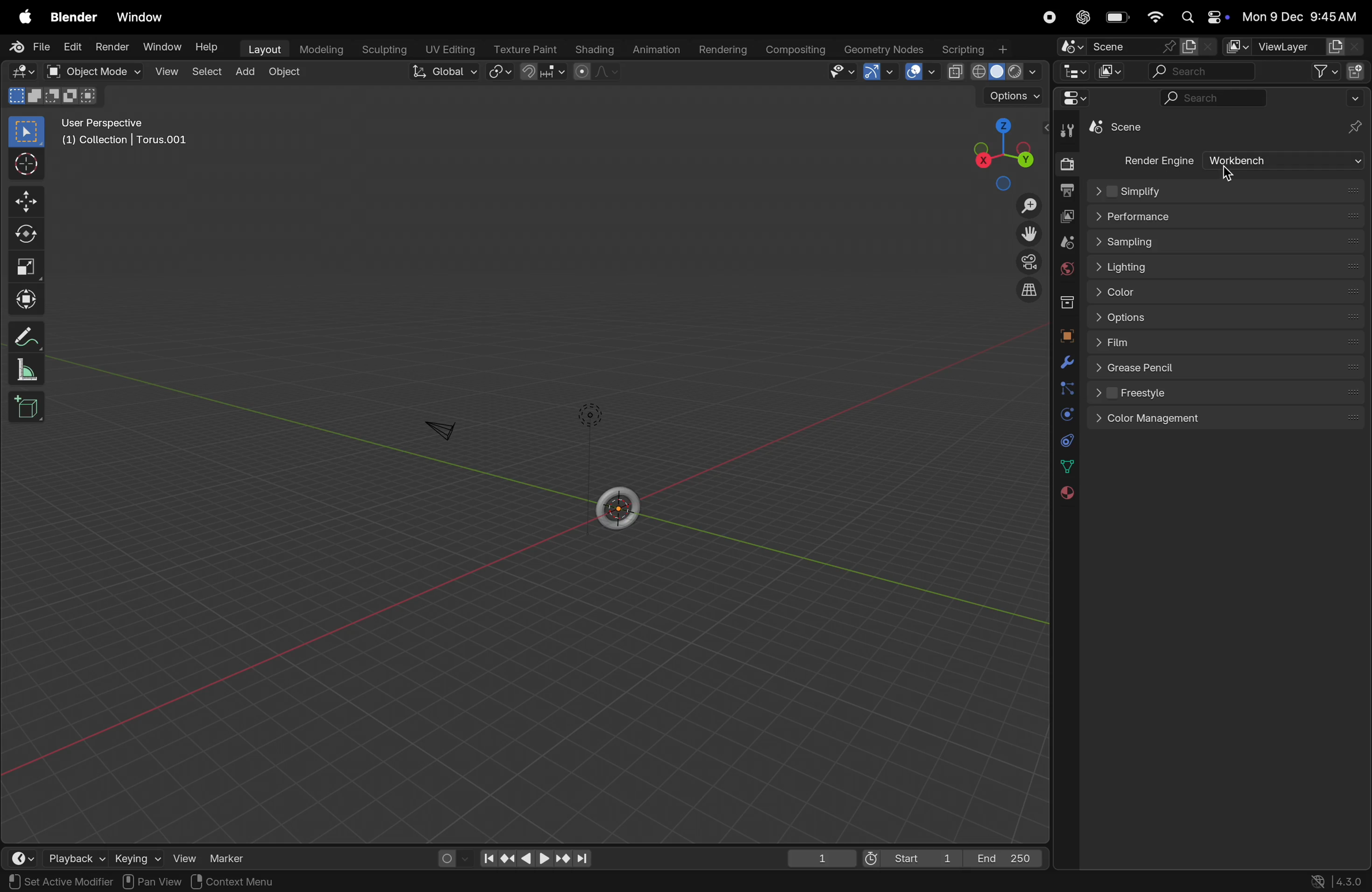  I want to click on options, so click(1223, 318).